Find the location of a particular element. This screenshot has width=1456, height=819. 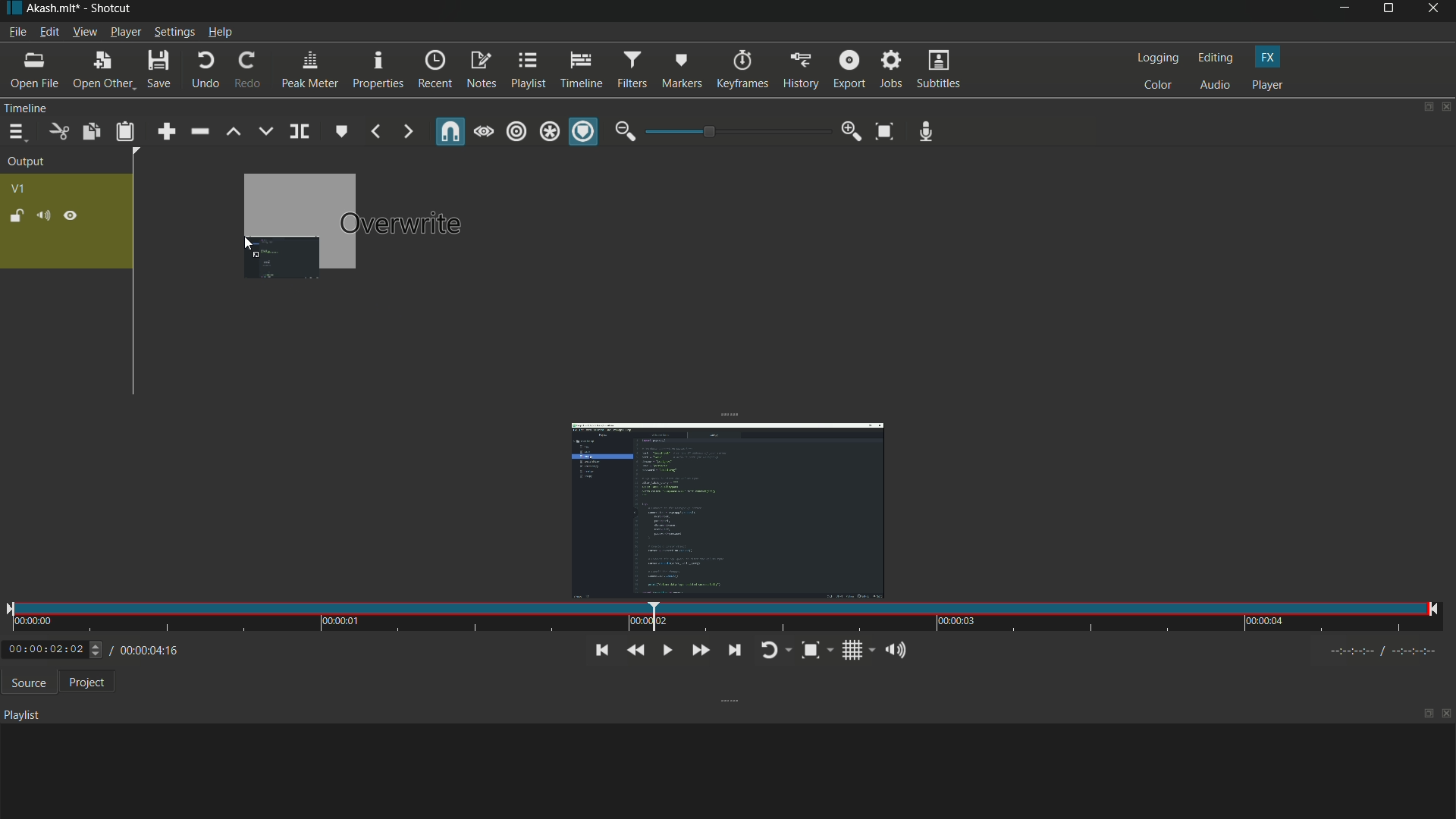

toggle play or pause is located at coordinates (665, 650).